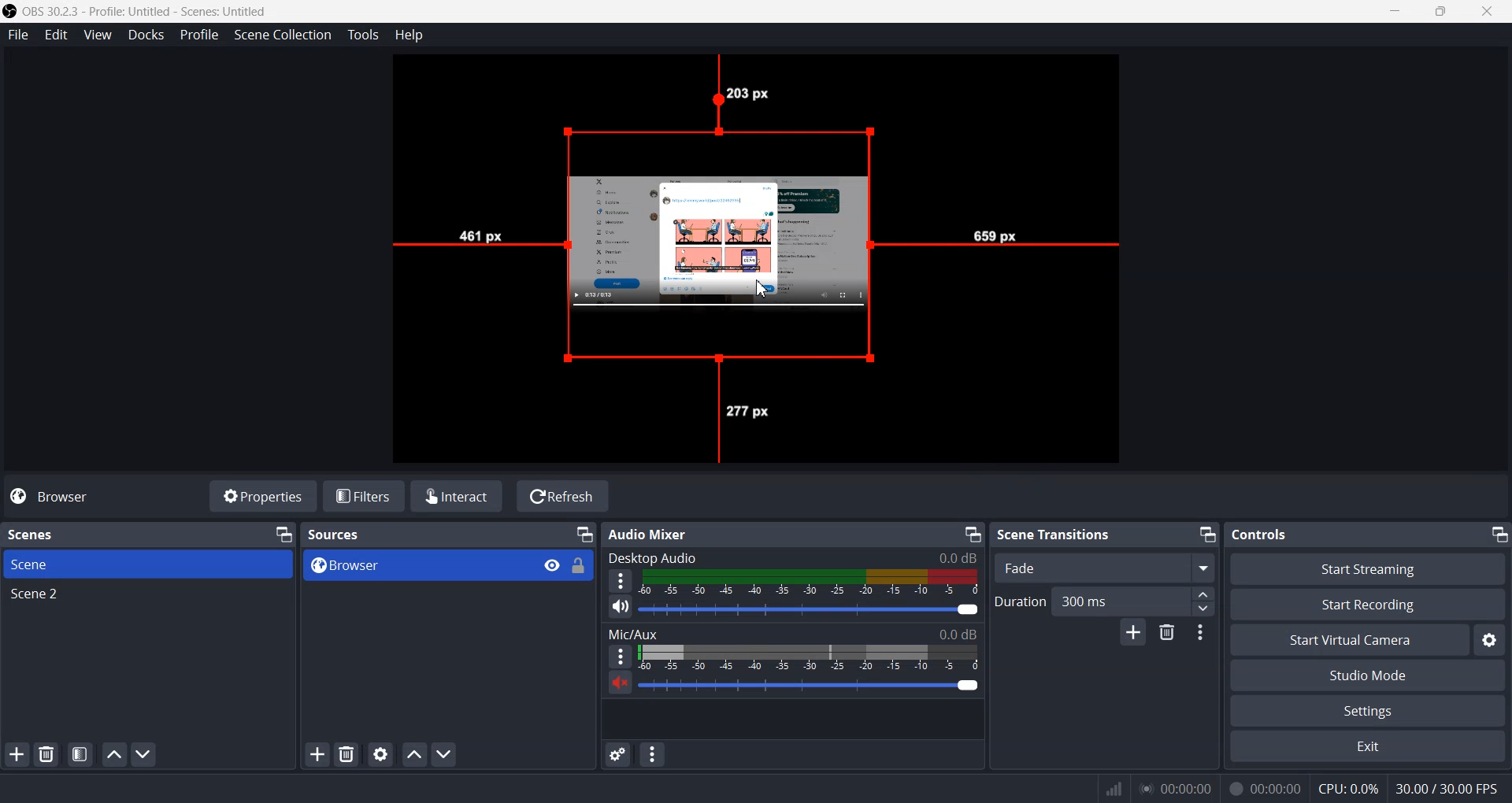 This screenshot has height=803, width=1512. I want to click on Docks, so click(144, 34).